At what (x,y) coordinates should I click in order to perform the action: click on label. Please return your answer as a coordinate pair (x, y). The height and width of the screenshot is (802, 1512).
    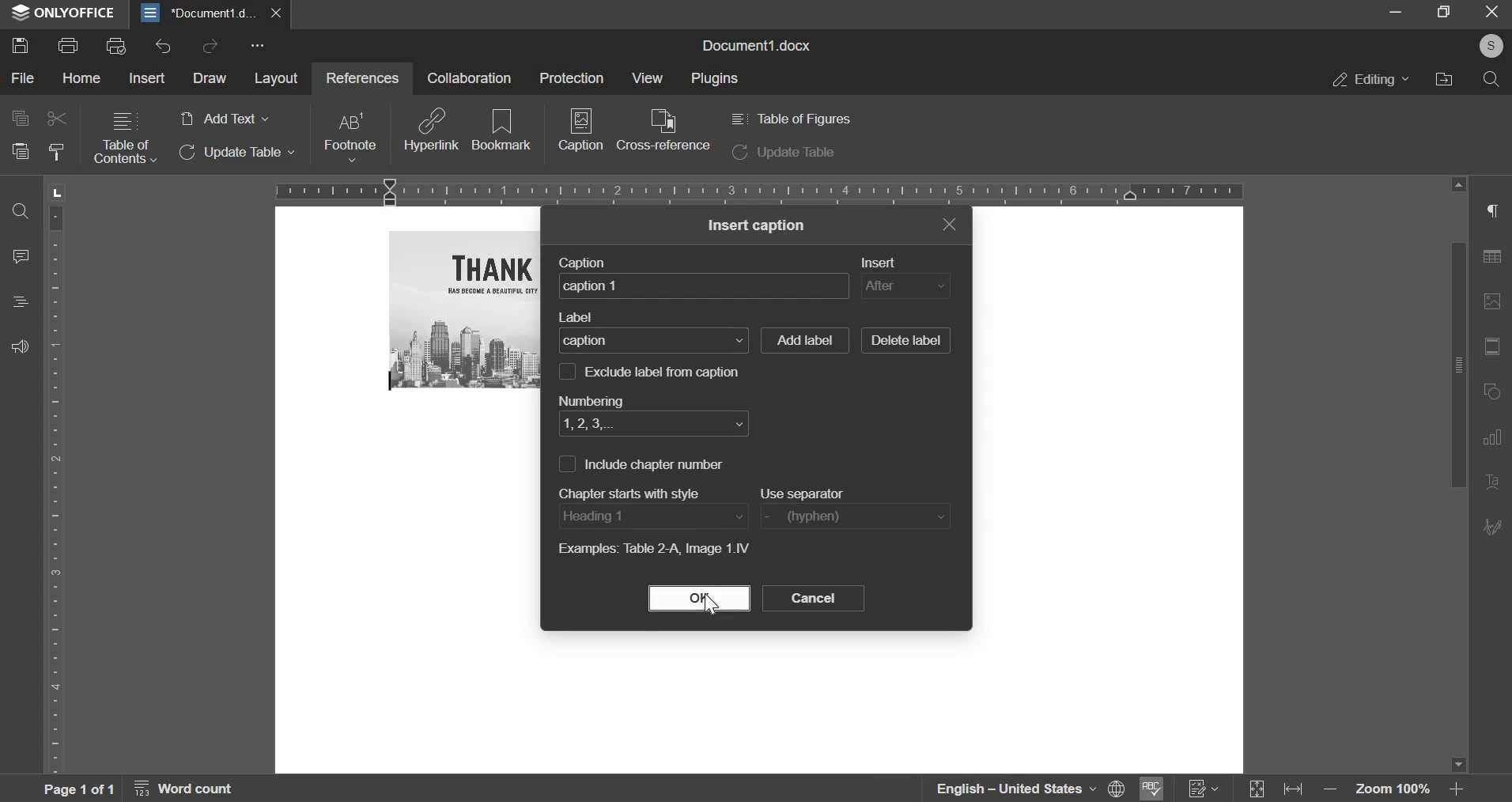
    Looking at the image, I should click on (580, 318).